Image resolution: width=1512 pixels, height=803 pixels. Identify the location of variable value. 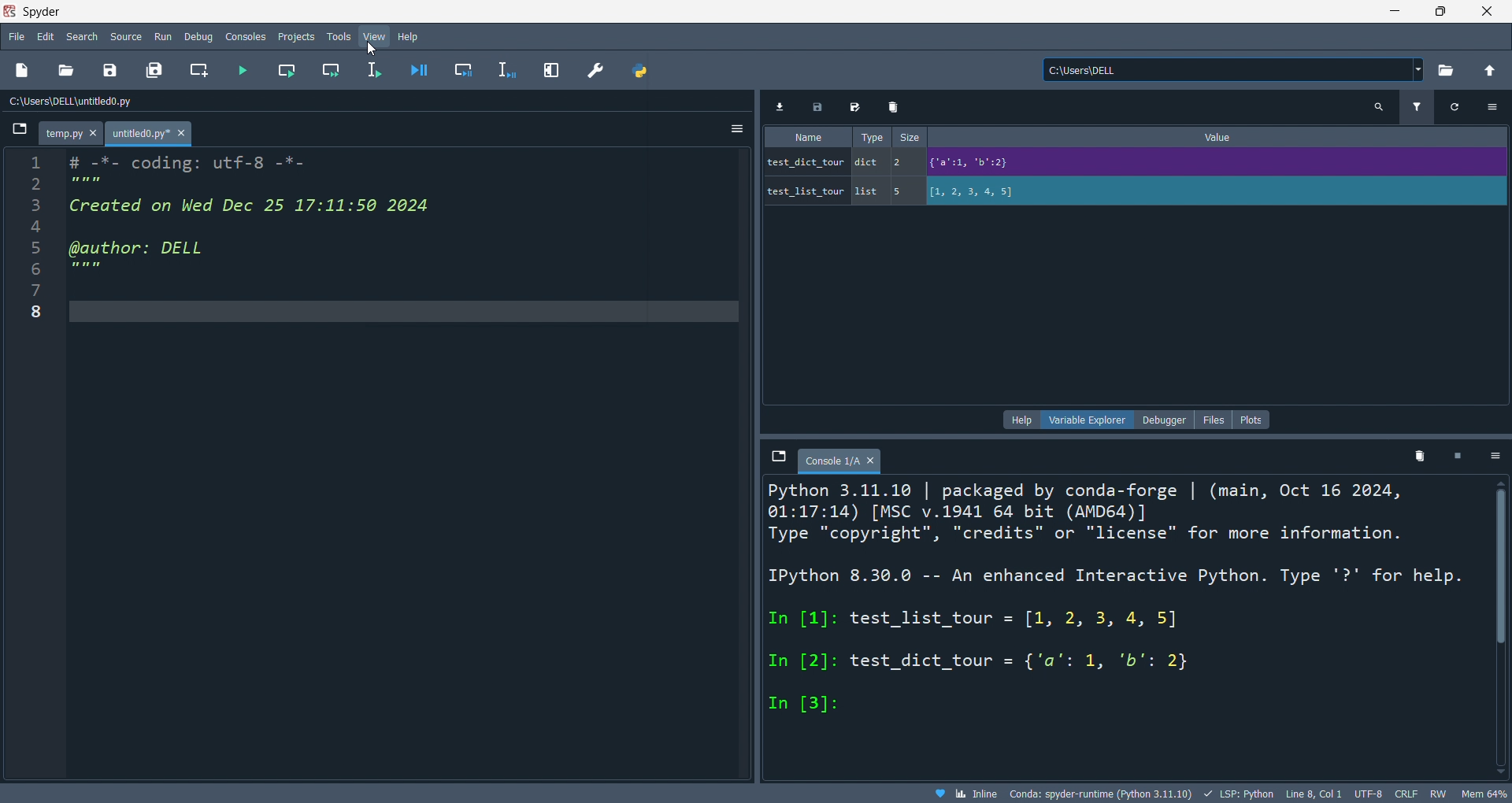
(1214, 193).